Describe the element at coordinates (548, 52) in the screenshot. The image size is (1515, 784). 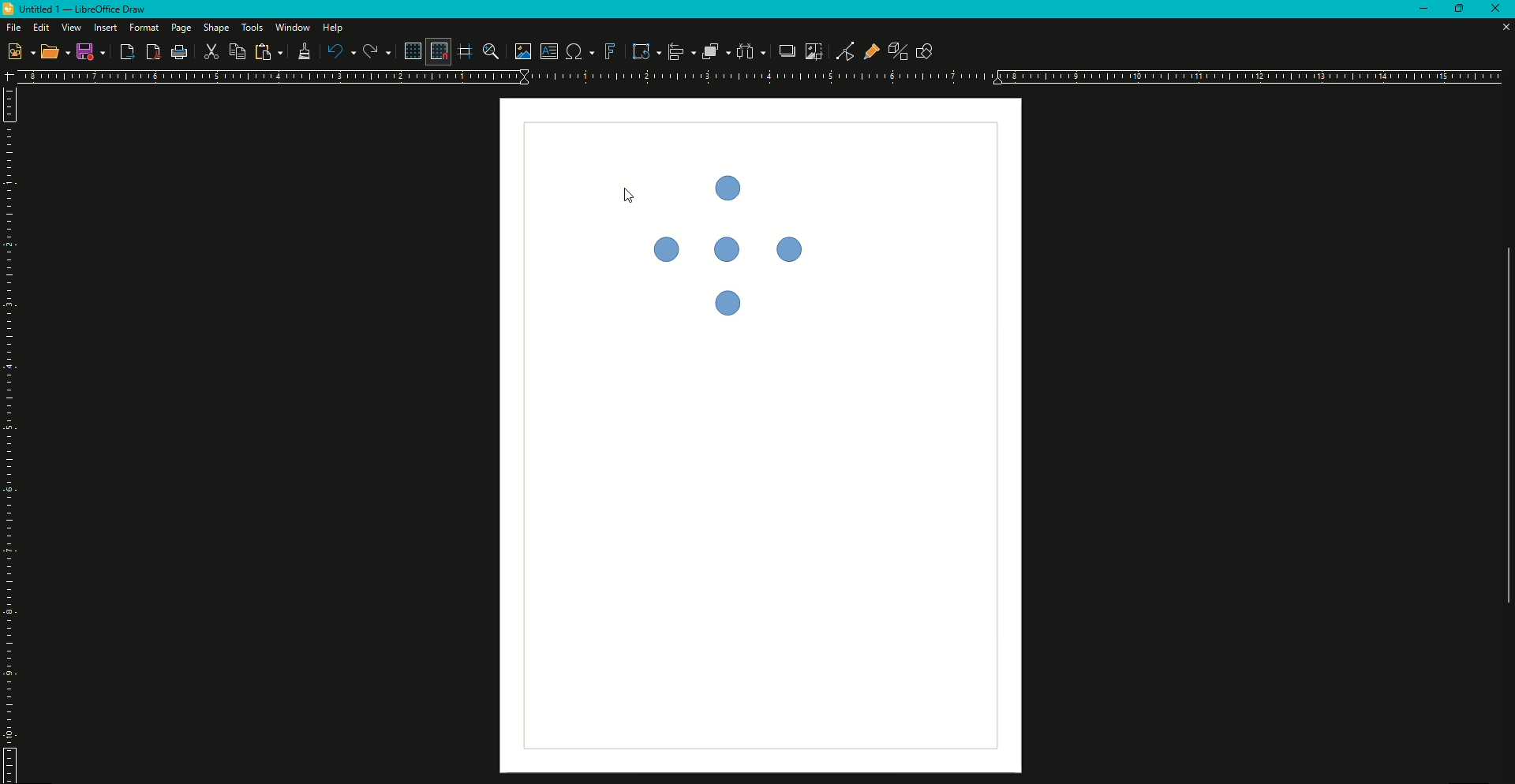
I see `Insert text box` at that location.